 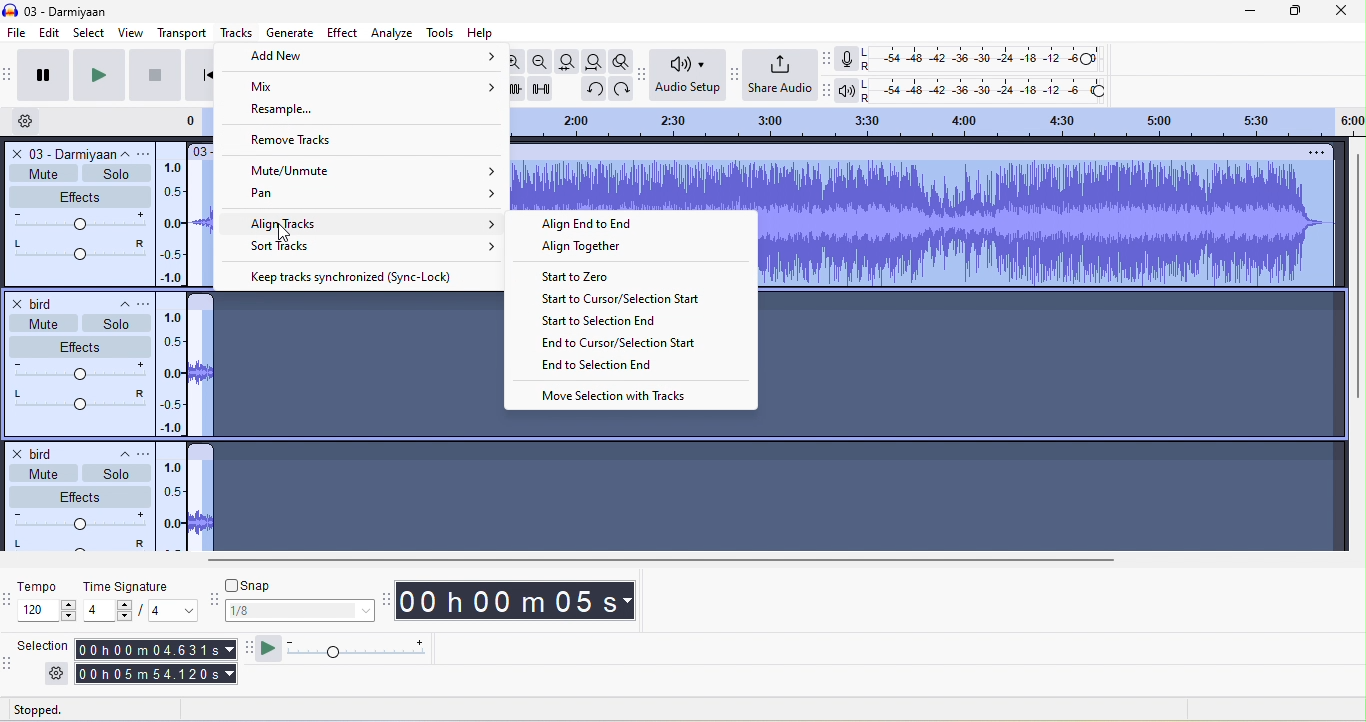 I want to click on skip to start, so click(x=197, y=74).